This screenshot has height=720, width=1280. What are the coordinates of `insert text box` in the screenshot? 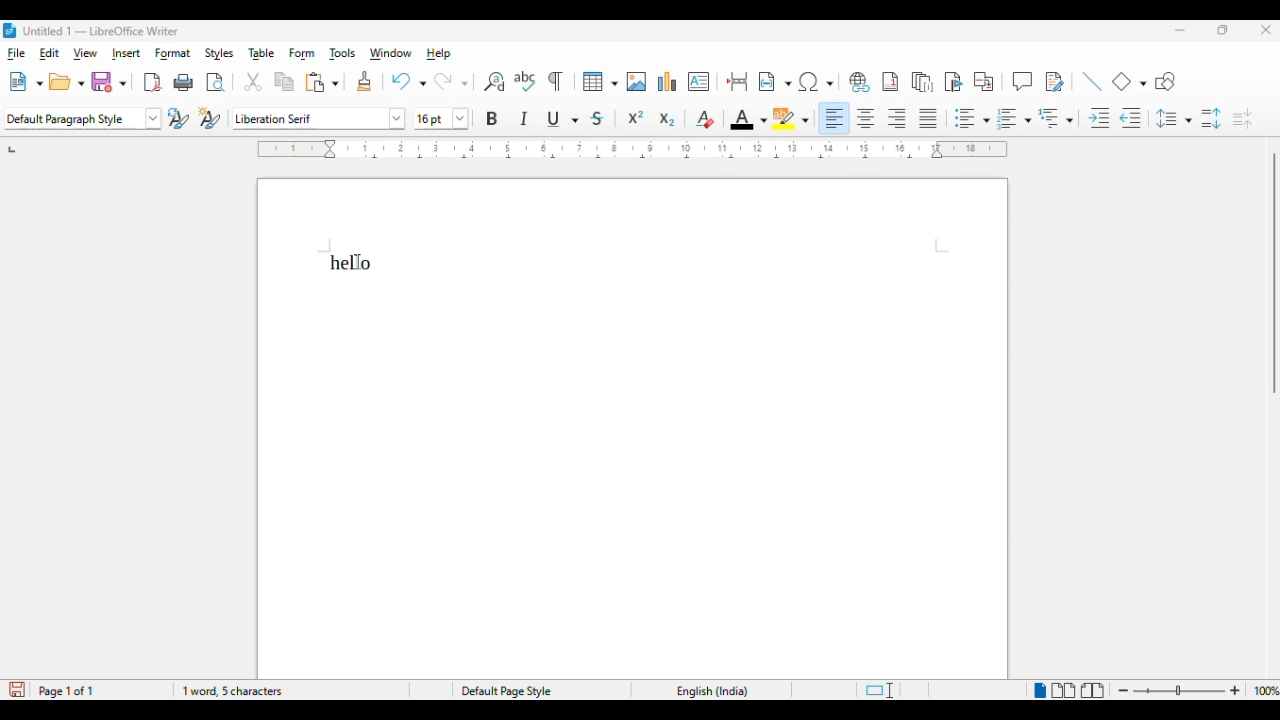 It's located at (698, 81).